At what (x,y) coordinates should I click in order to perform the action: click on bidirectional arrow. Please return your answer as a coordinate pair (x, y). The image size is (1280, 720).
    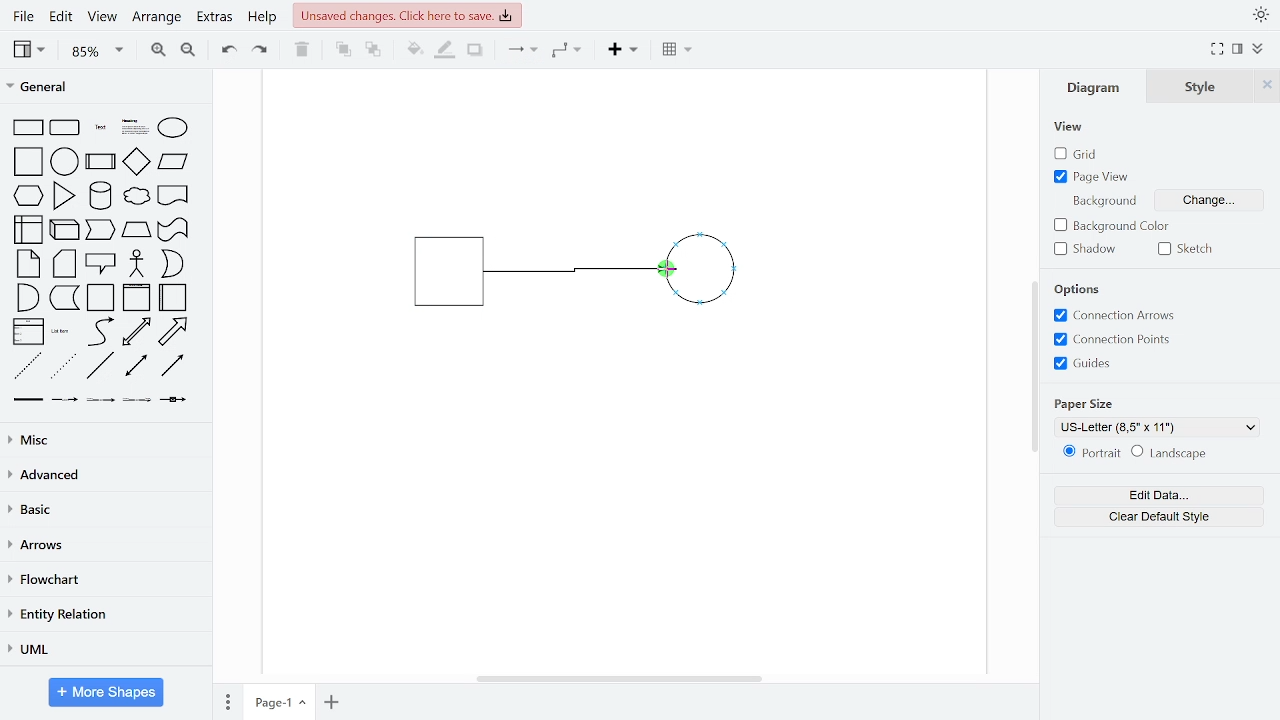
    Looking at the image, I should click on (136, 332).